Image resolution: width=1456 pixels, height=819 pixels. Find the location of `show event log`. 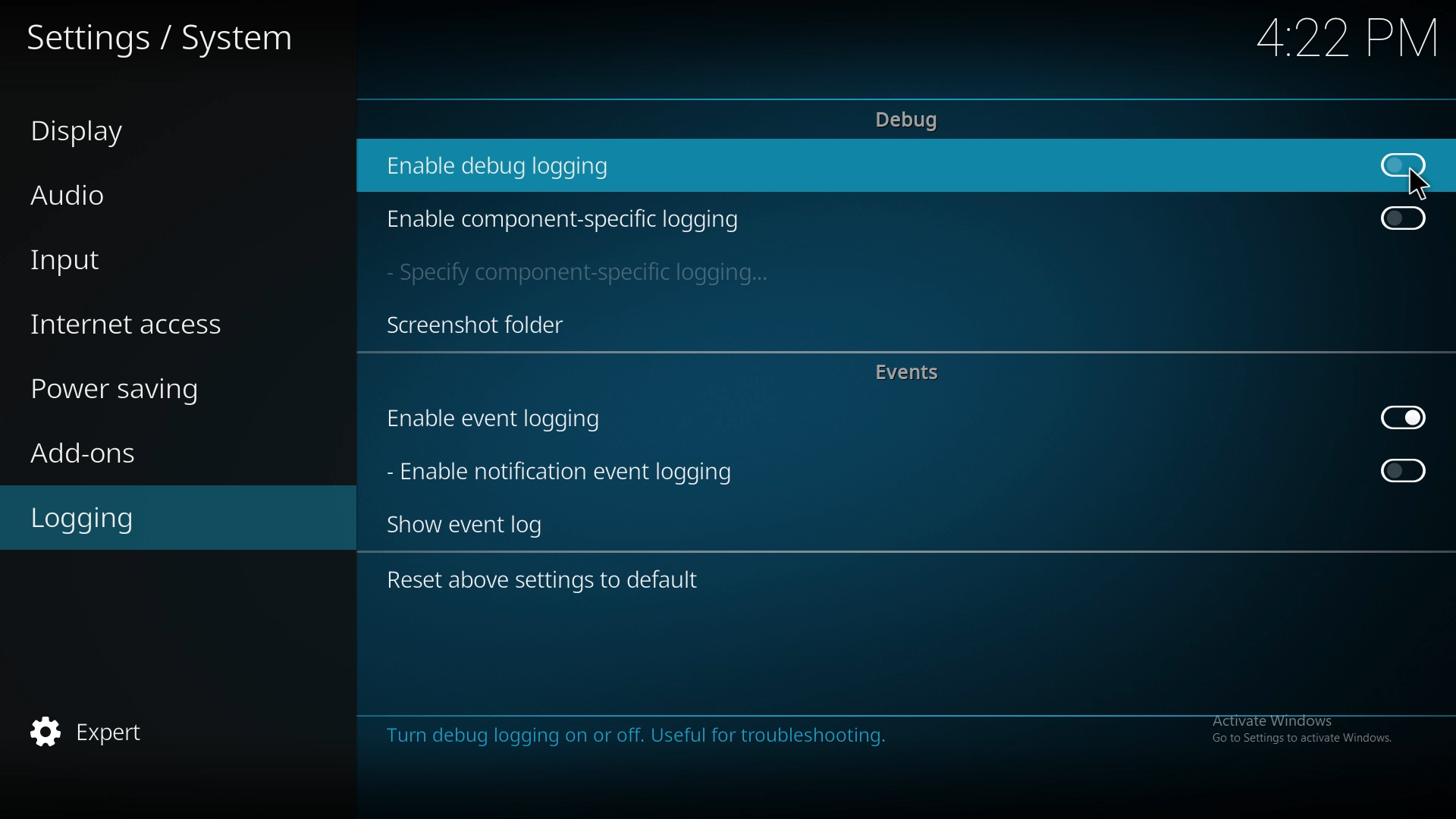

show event log is located at coordinates (479, 524).